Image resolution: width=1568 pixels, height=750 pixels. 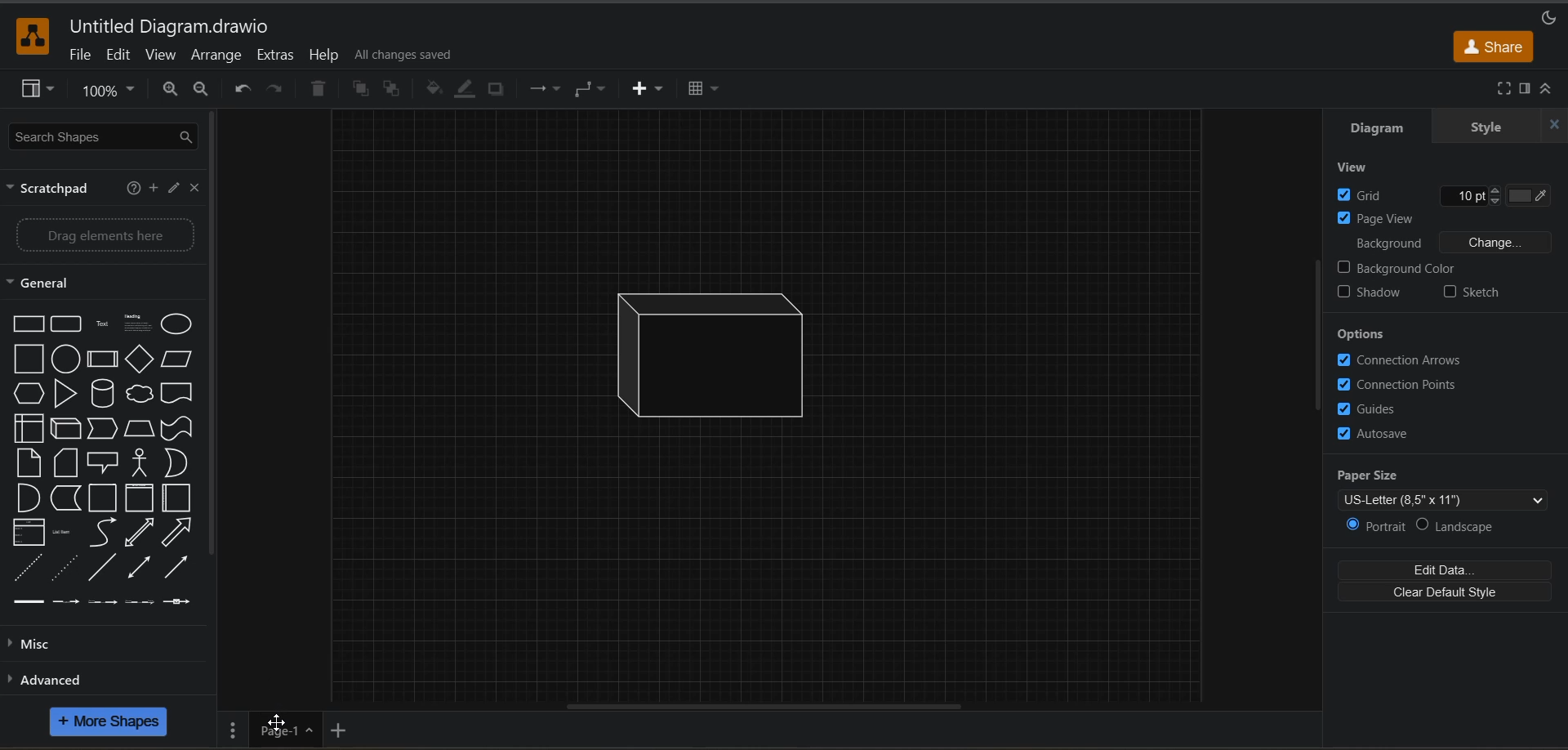 I want to click on grid, so click(x=1370, y=194).